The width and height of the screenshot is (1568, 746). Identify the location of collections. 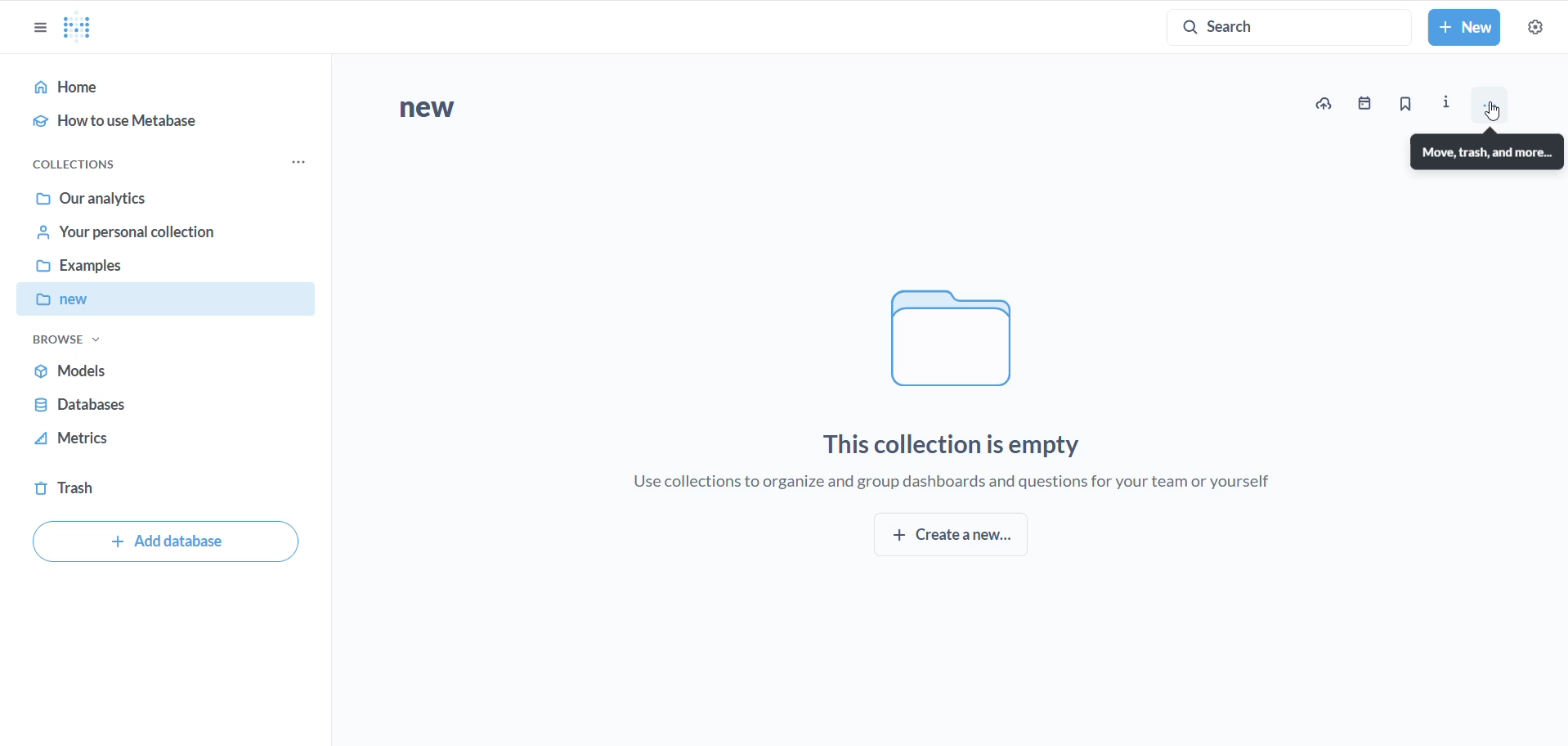
(90, 162).